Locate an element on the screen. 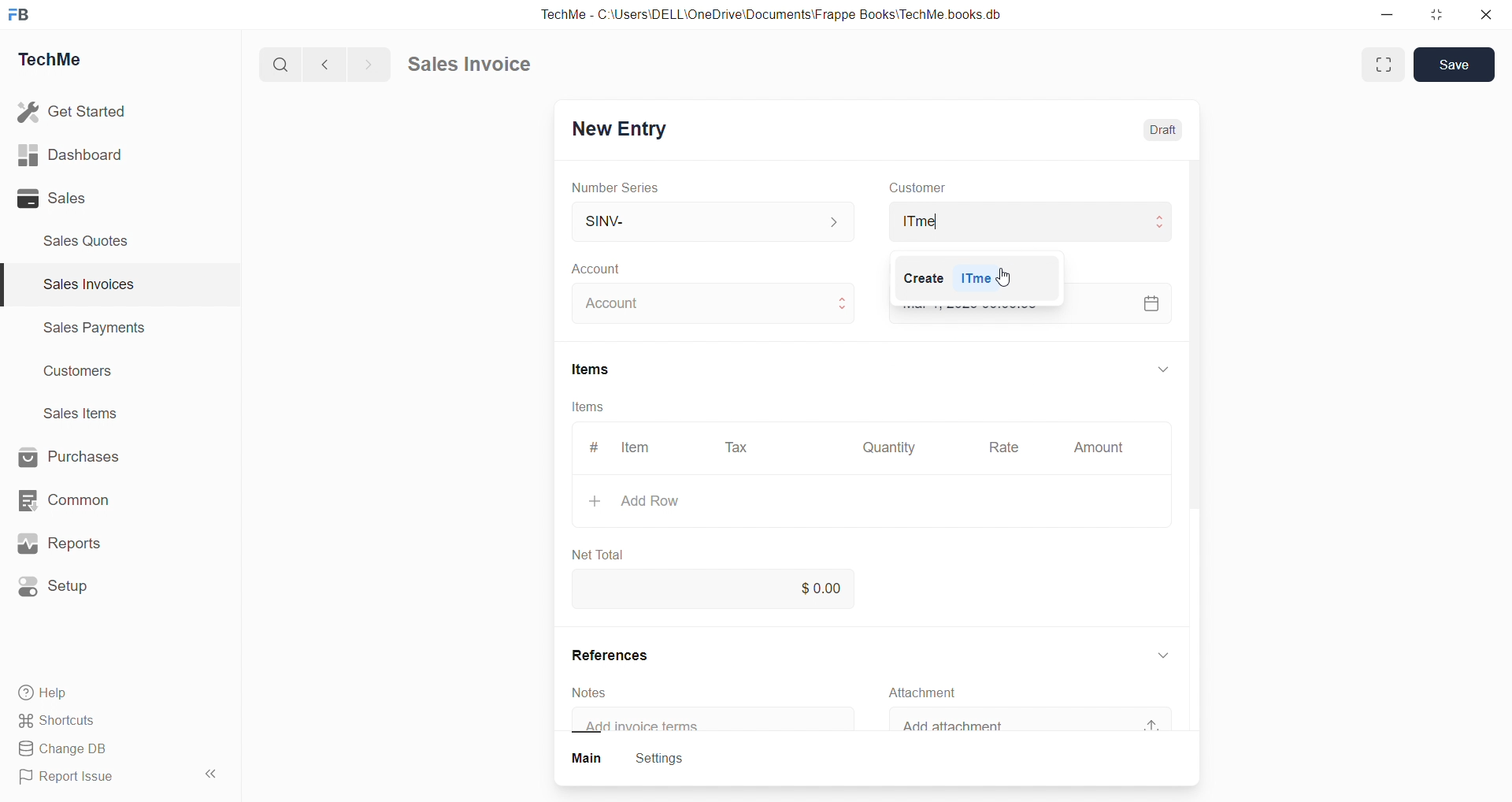 This screenshot has height=802, width=1512. Full width is located at coordinates (1381, 64).